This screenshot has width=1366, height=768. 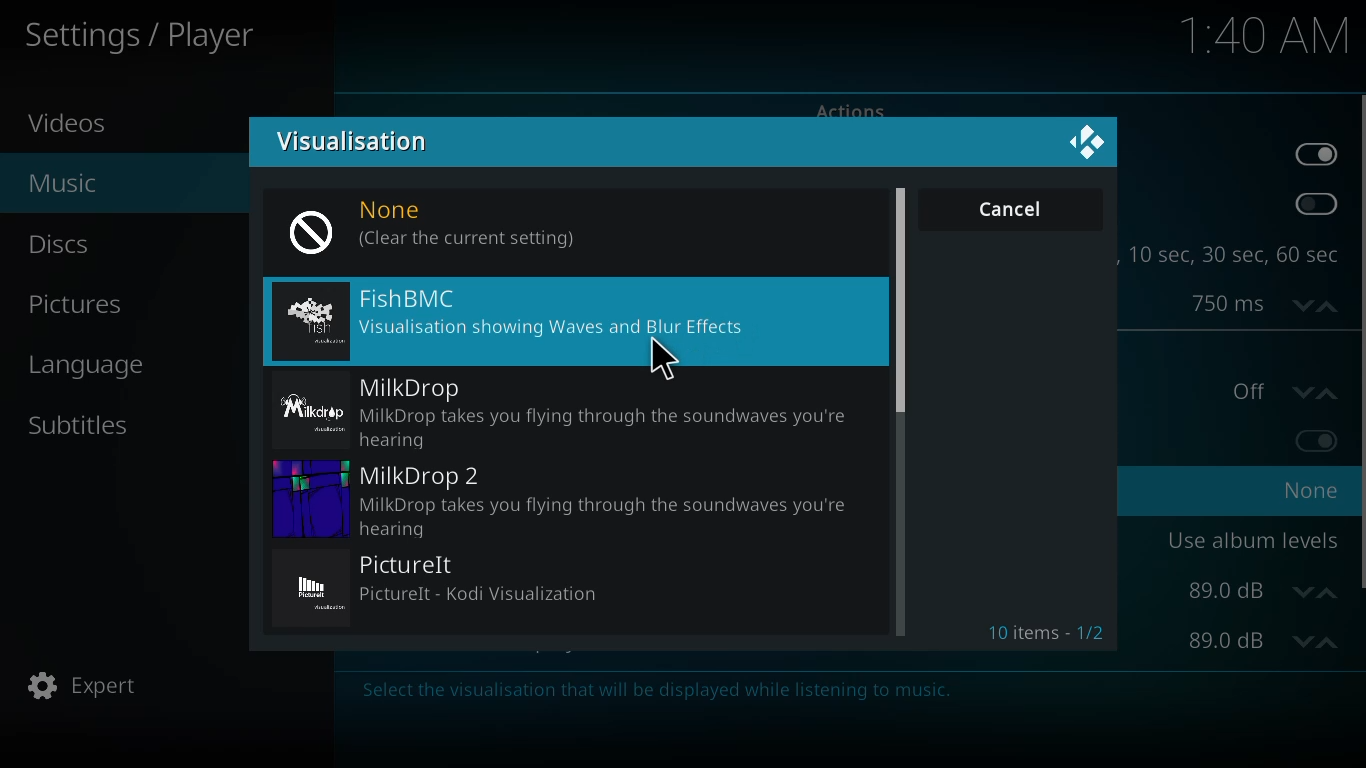 I want to click on milkdrop 2, so click(x=571, y=497).